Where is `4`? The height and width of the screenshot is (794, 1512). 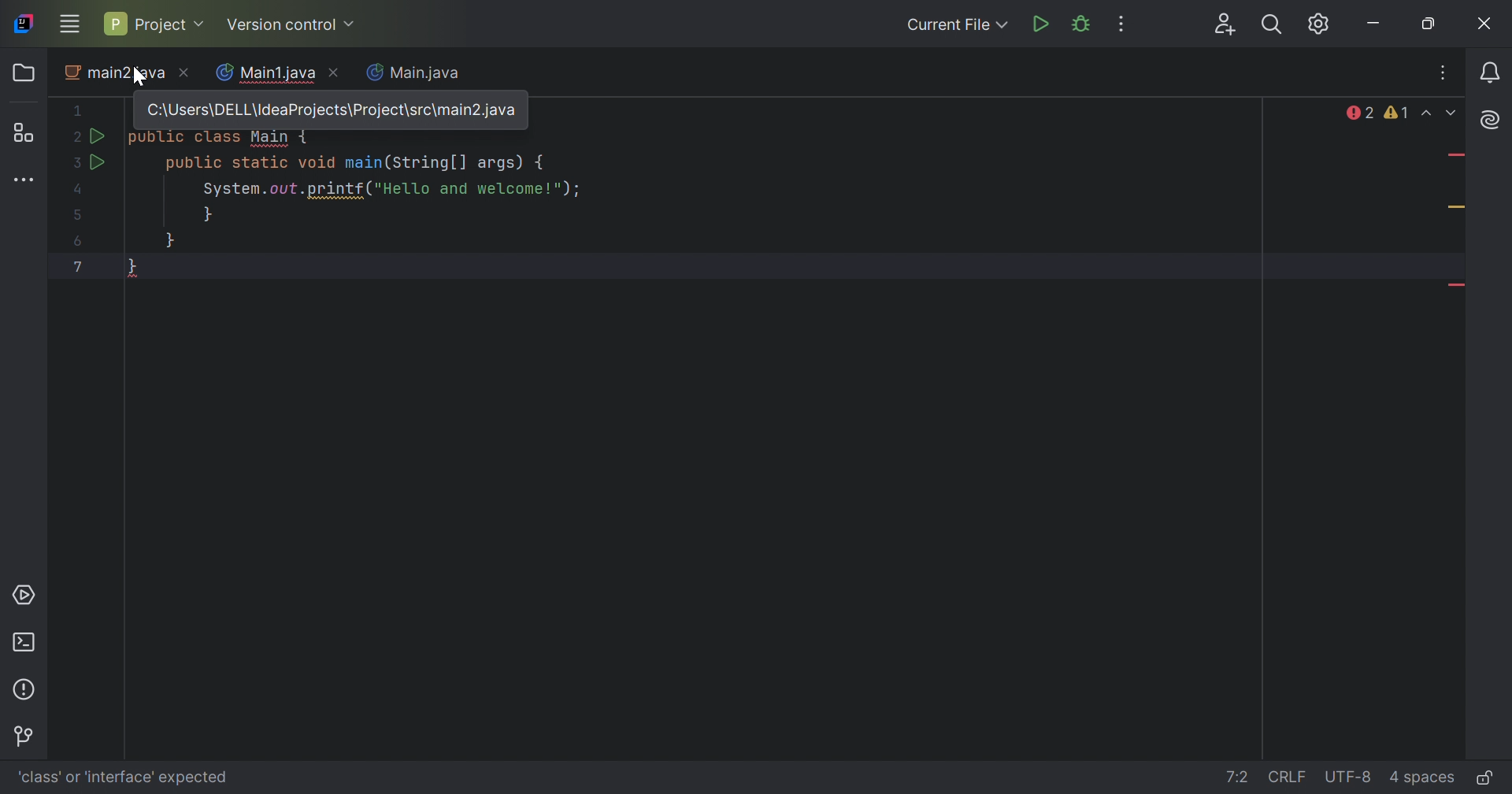
4 is located at coordinates (80, 191).